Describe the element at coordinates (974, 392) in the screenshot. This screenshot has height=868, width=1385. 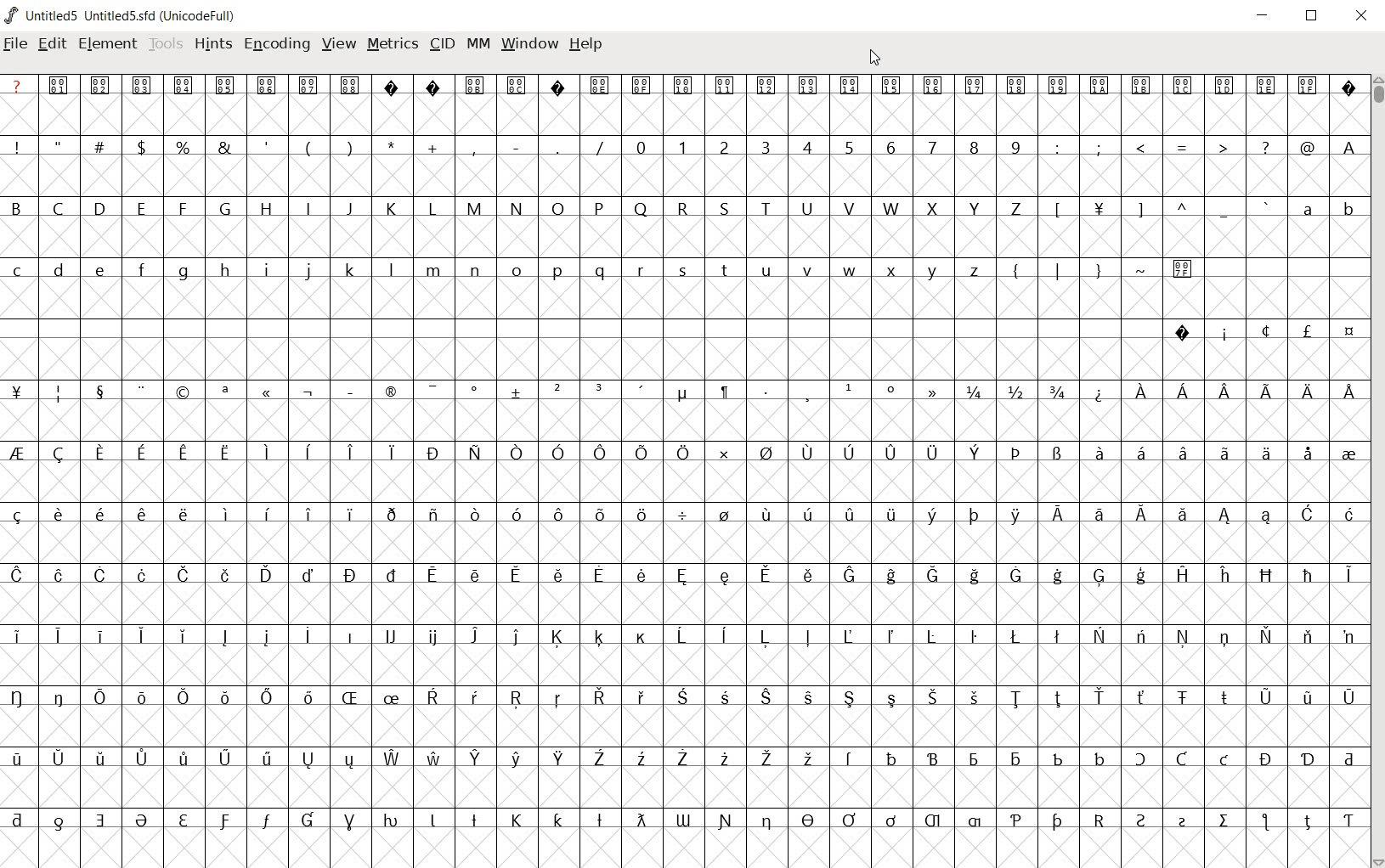
I see `1/4` at that location.